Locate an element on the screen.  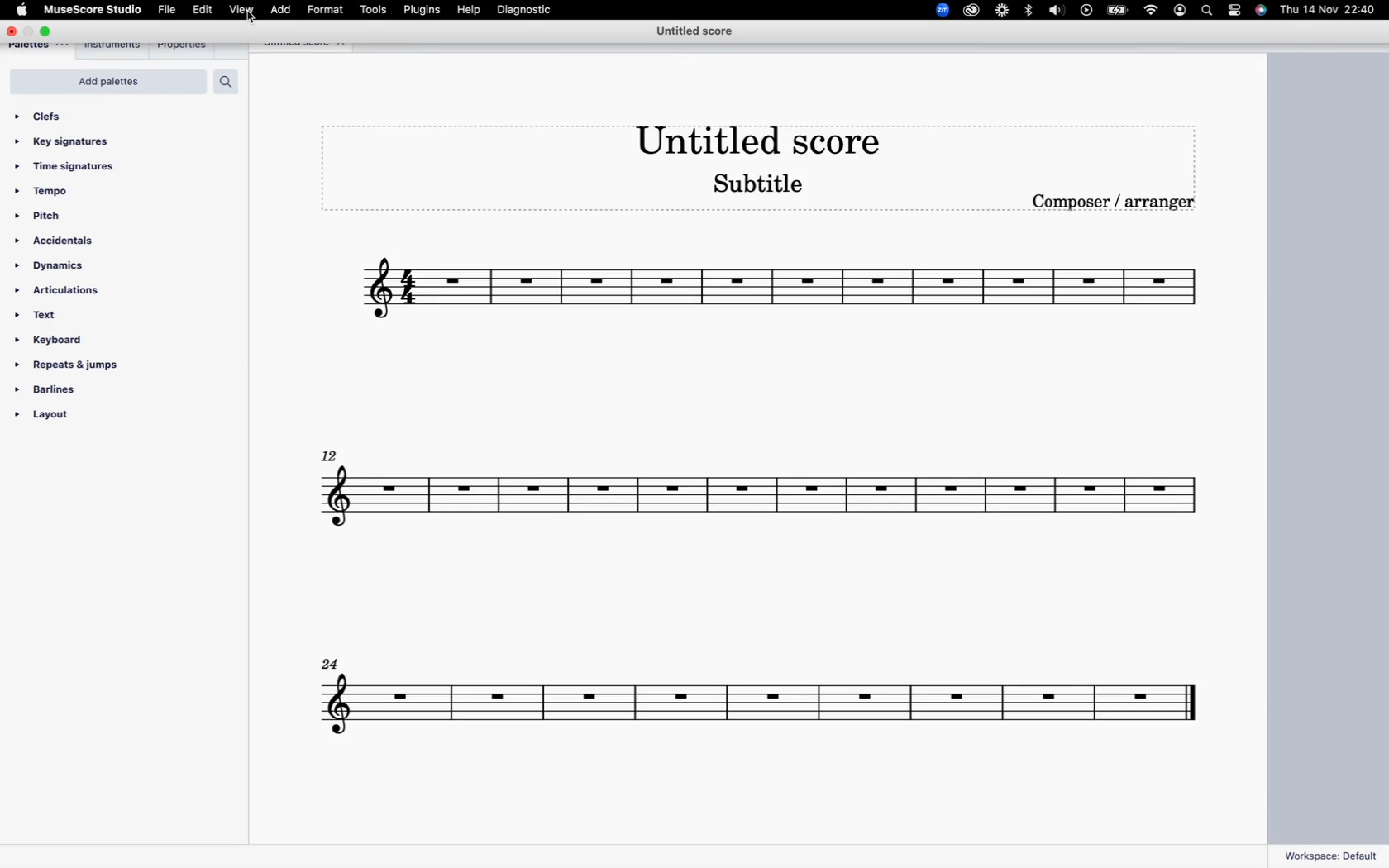
accidentals is located at coordinates (63, 241).